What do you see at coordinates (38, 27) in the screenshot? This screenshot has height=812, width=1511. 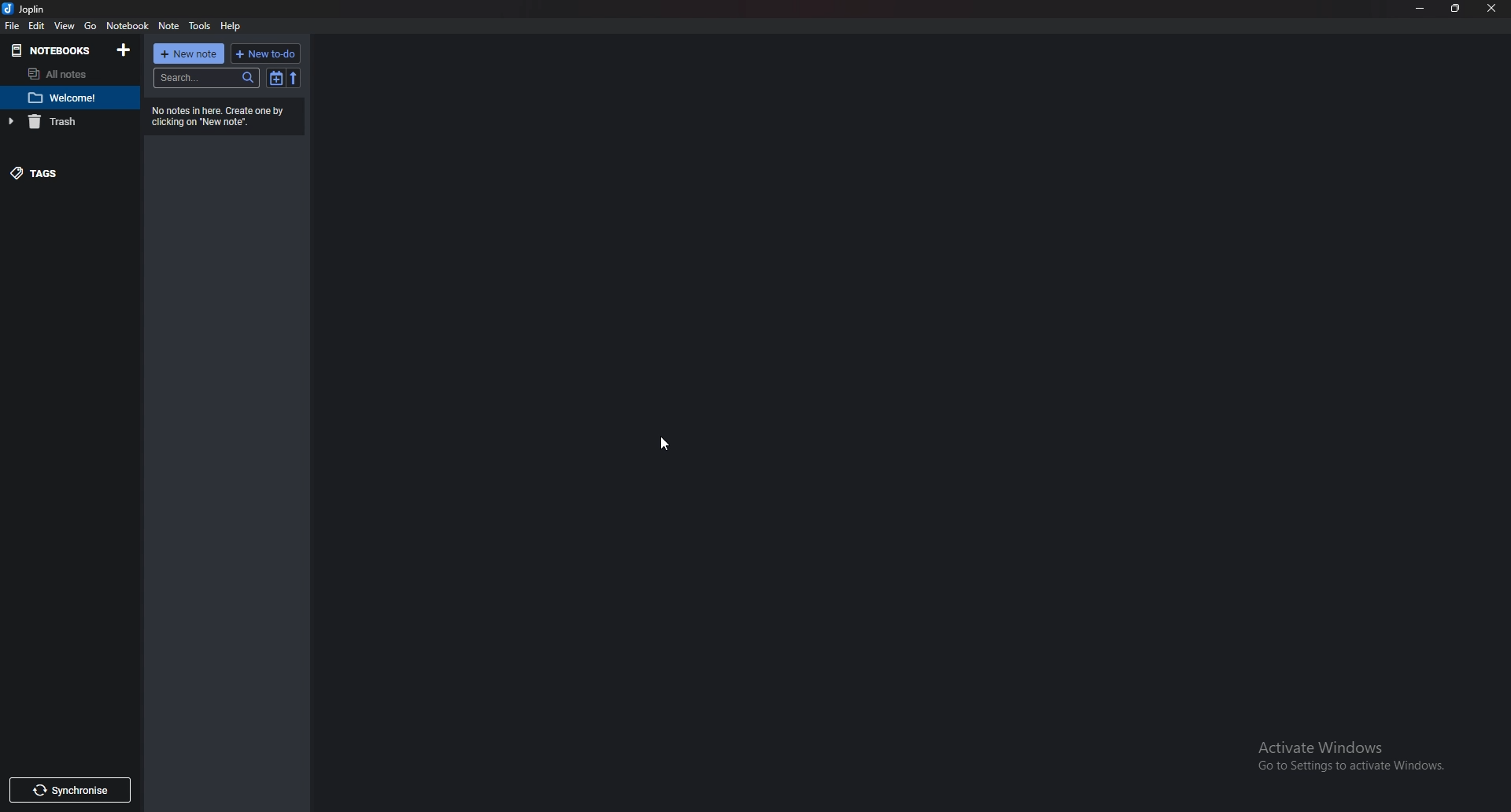 I see `edit` at bounding box center [38, 27].